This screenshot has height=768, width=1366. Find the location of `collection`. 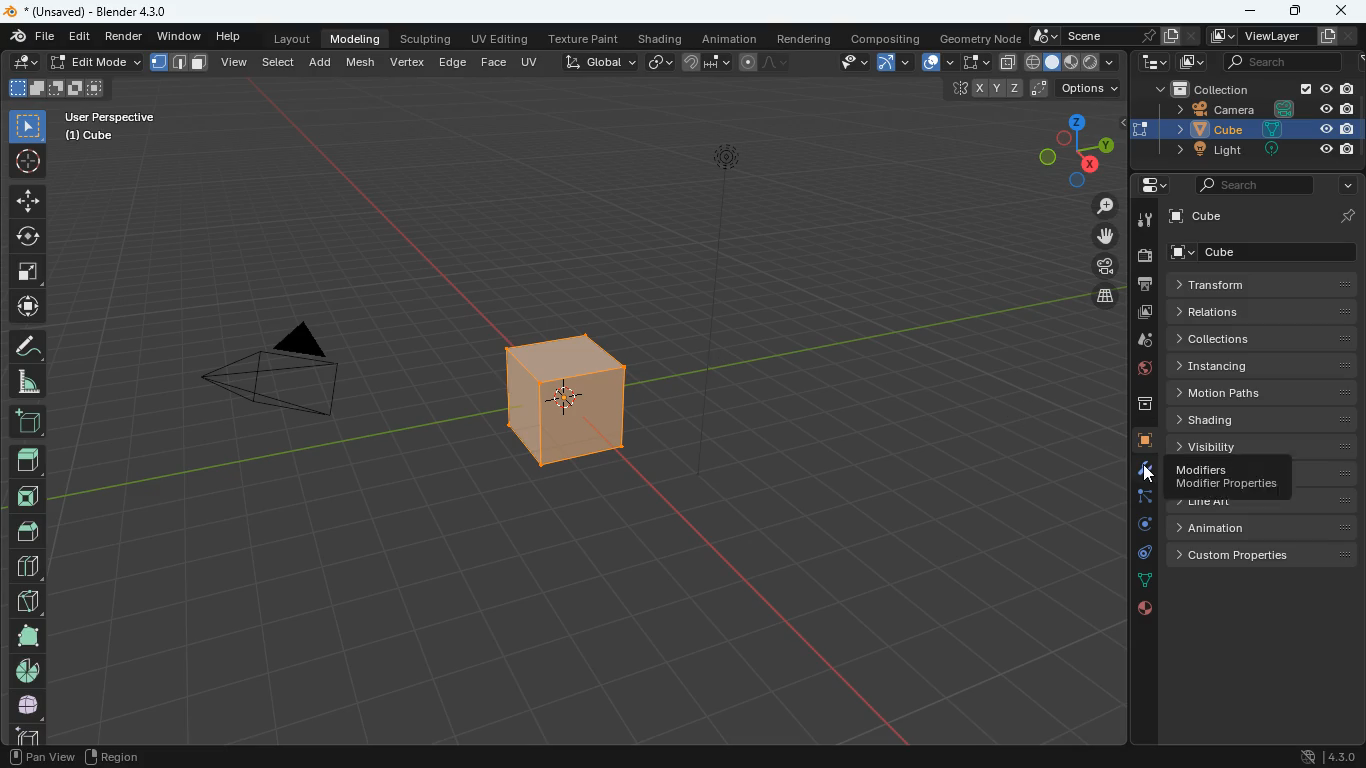

collection is located at coordinates (1246, 89).